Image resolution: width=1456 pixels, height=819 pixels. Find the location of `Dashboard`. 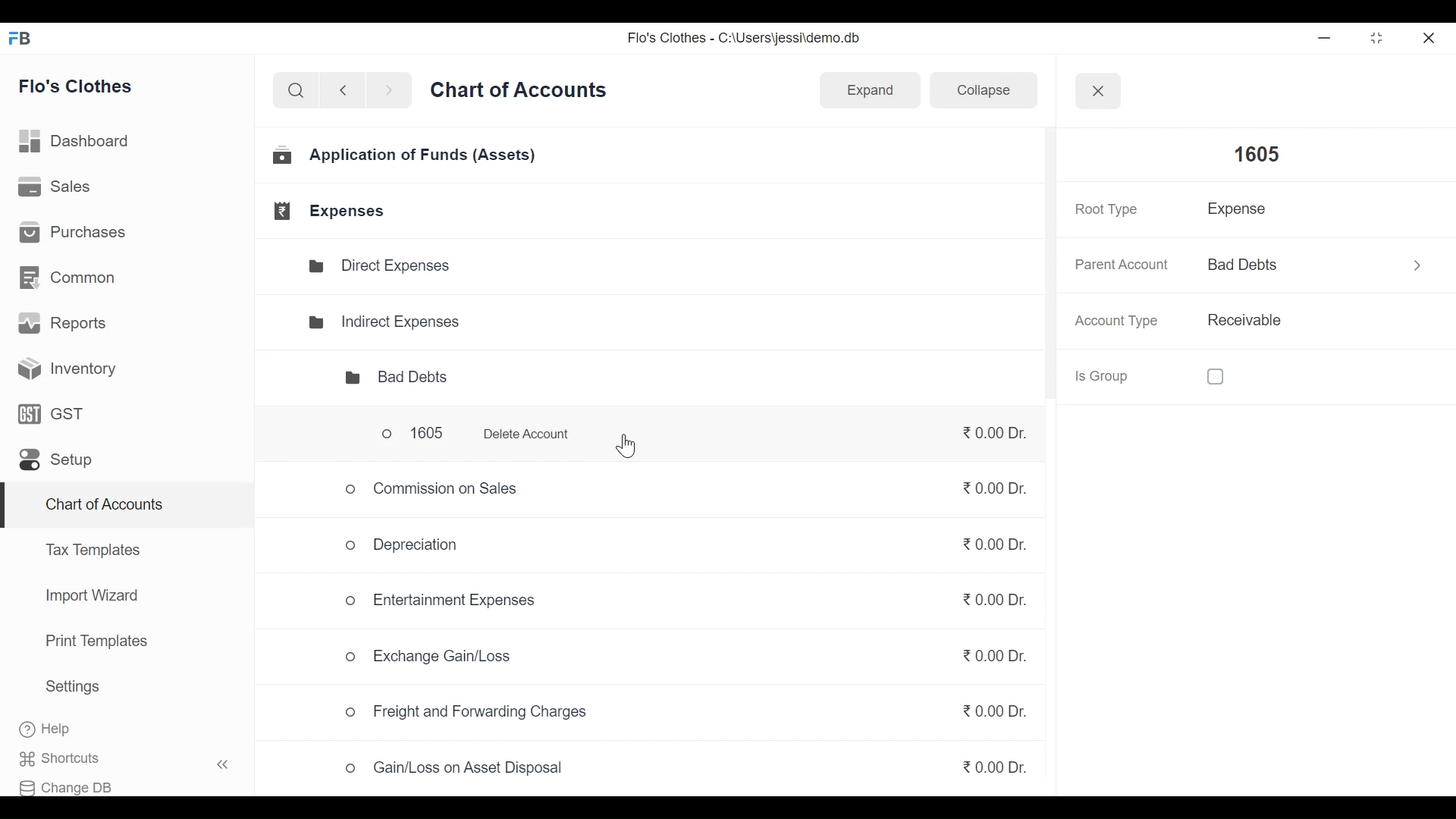

Dashboard is located at coordinates (81, 141).